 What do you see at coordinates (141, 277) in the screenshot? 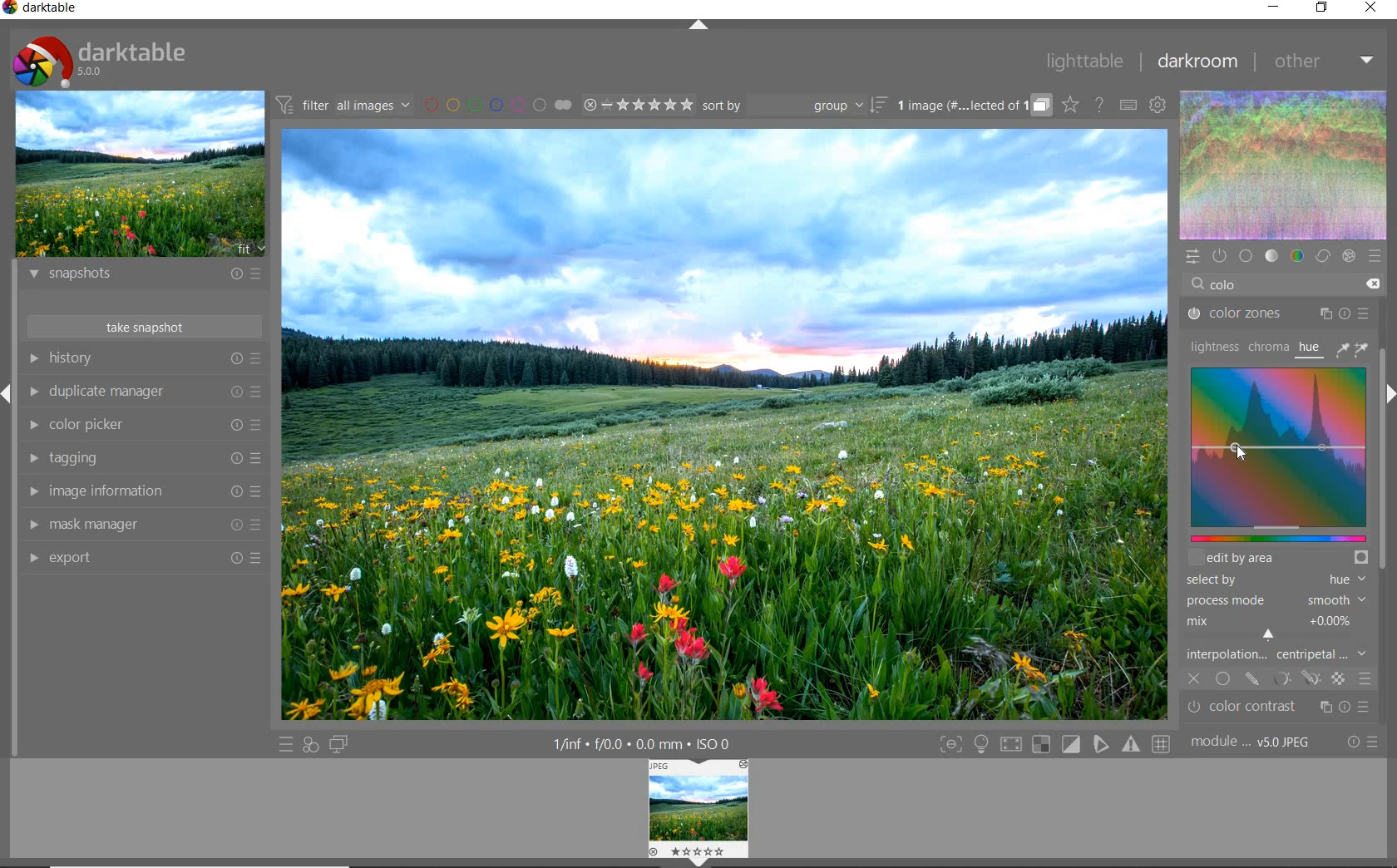
I see `snapshots` at bounding box center [141, 277].